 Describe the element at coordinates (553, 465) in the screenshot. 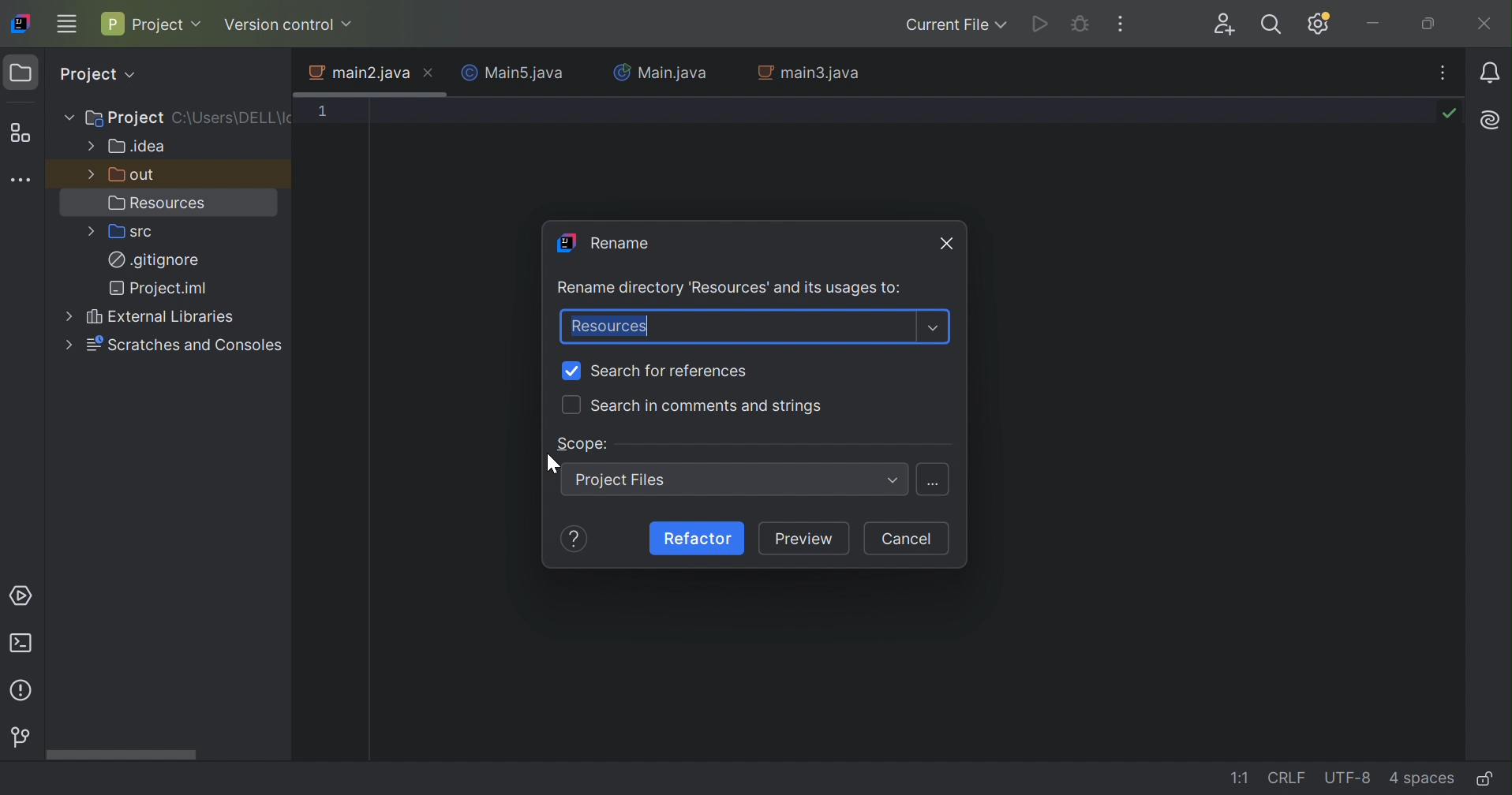

I see `Cursor` at that location.